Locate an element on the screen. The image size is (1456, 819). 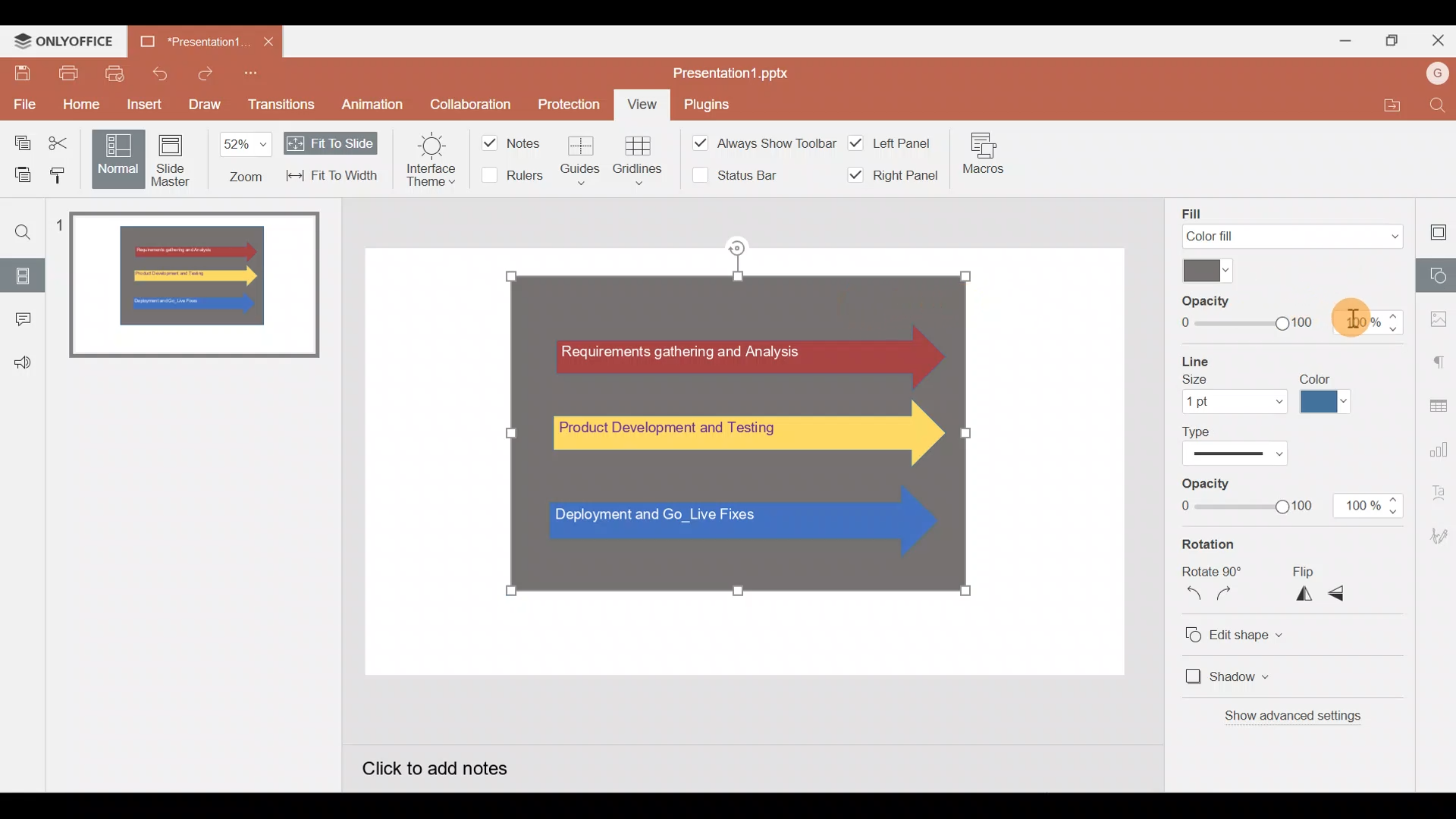
Shadow is located at coordinates (1238, 674).